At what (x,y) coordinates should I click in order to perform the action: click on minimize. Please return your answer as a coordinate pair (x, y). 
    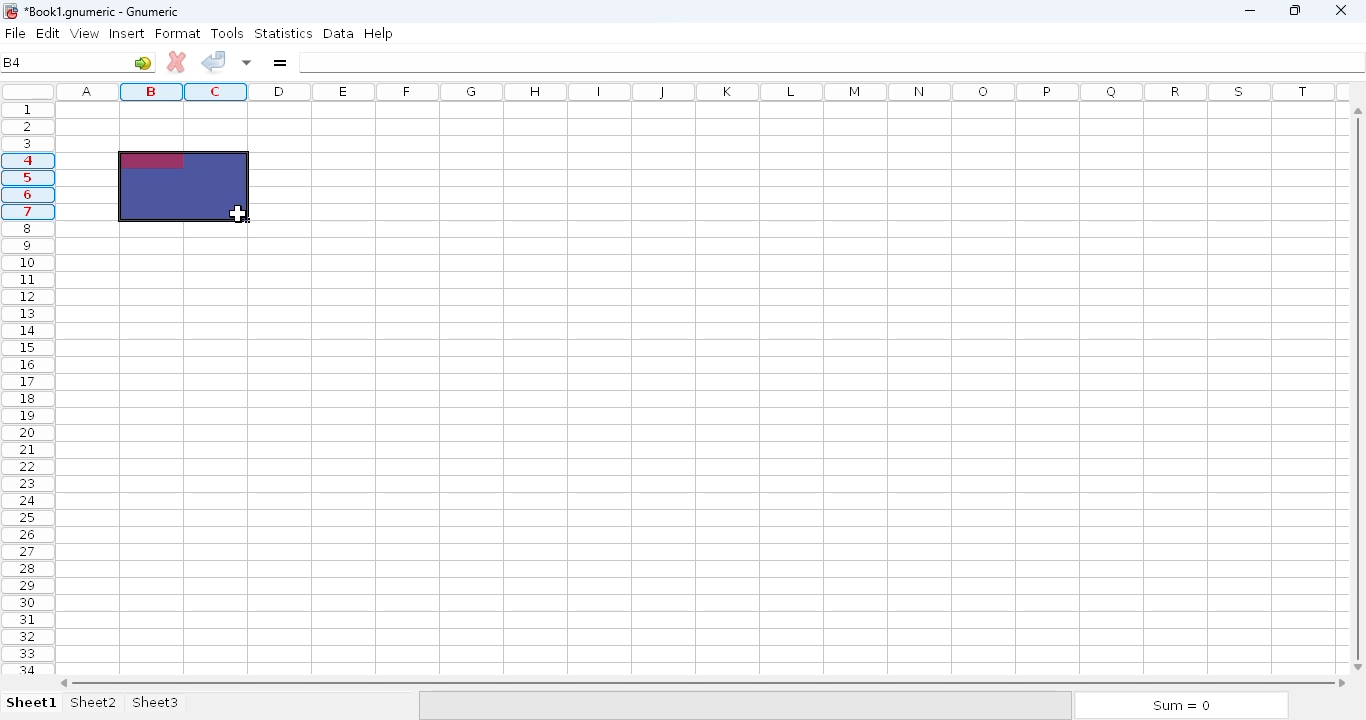
    Looking at the image, I should click on (1250, 11).